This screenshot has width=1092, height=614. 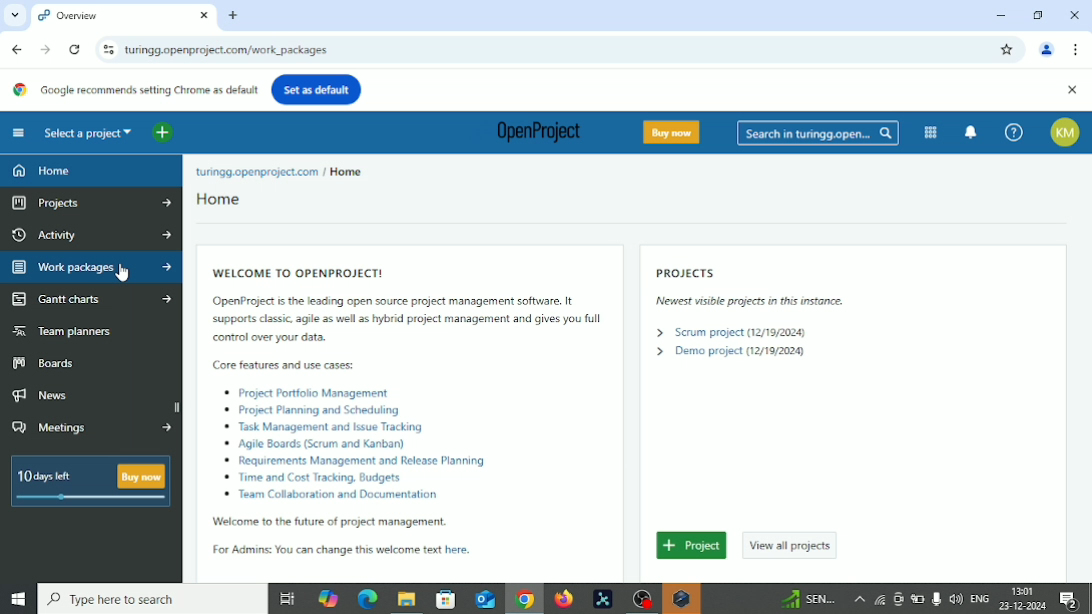 What do you see at coordinates (93, 429) in the screenshot?
I see `Meetings` at bounding box center [93, 429].